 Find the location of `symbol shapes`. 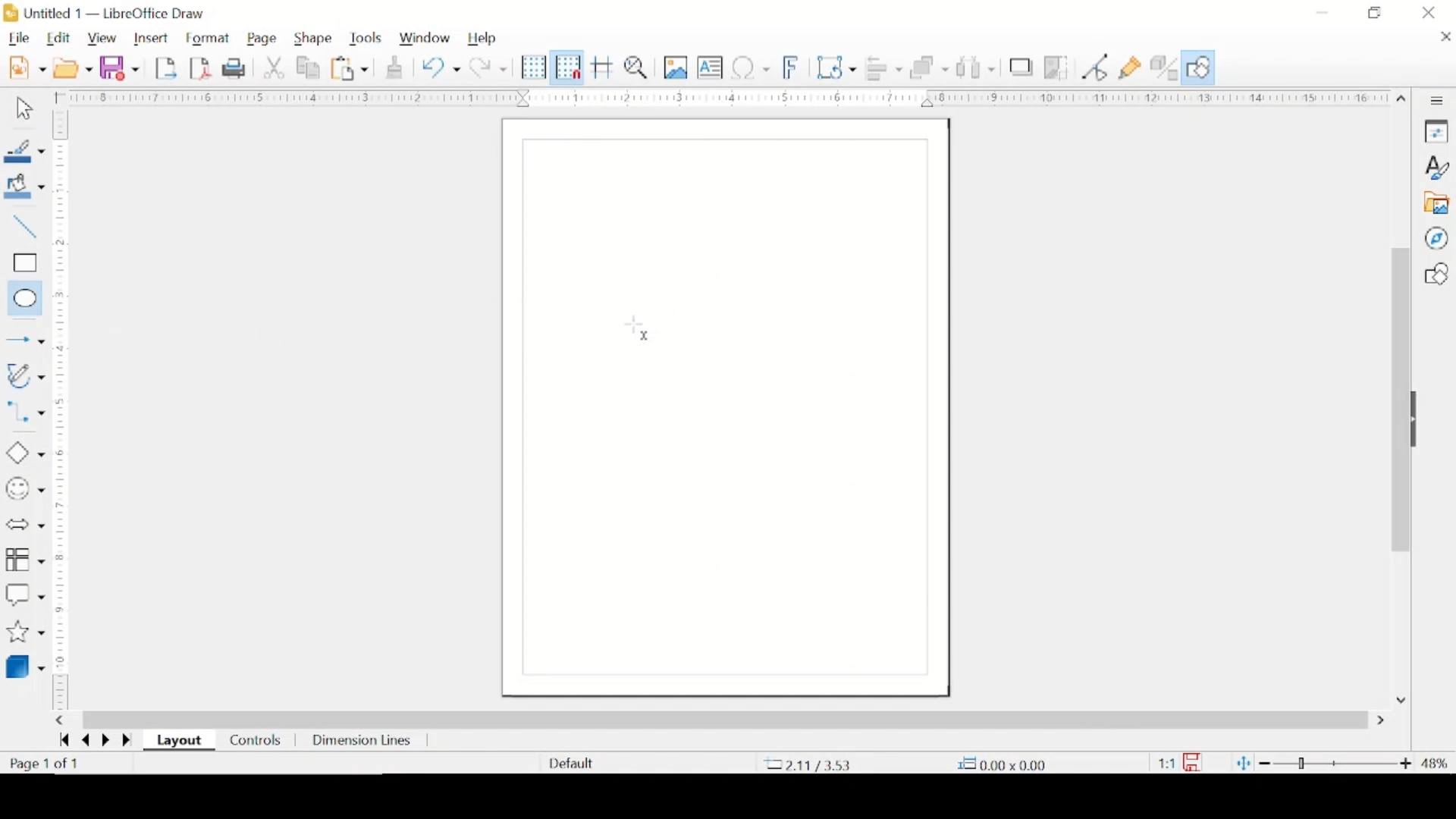

symbol shapes is located at coordinates (25, 489).